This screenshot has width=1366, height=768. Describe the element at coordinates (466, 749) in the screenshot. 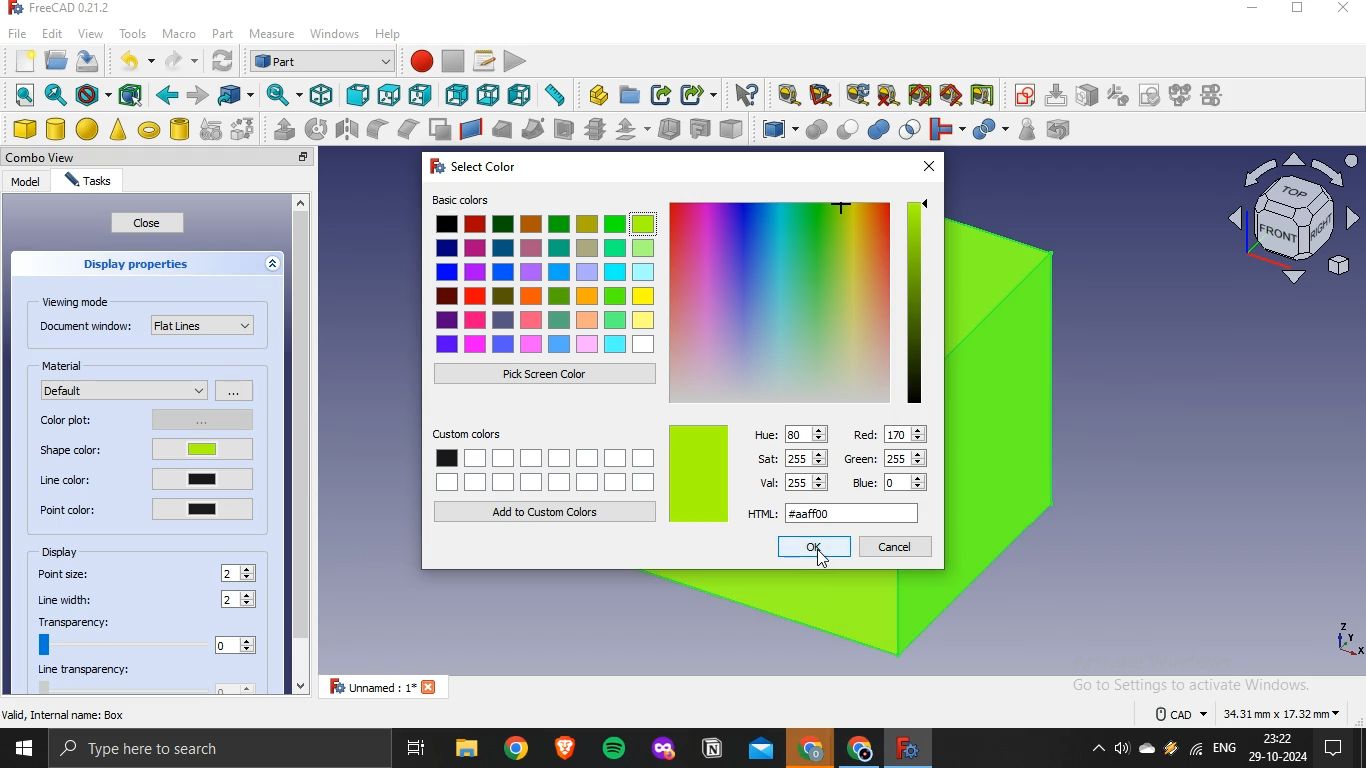

I see `file explorer` at that location.